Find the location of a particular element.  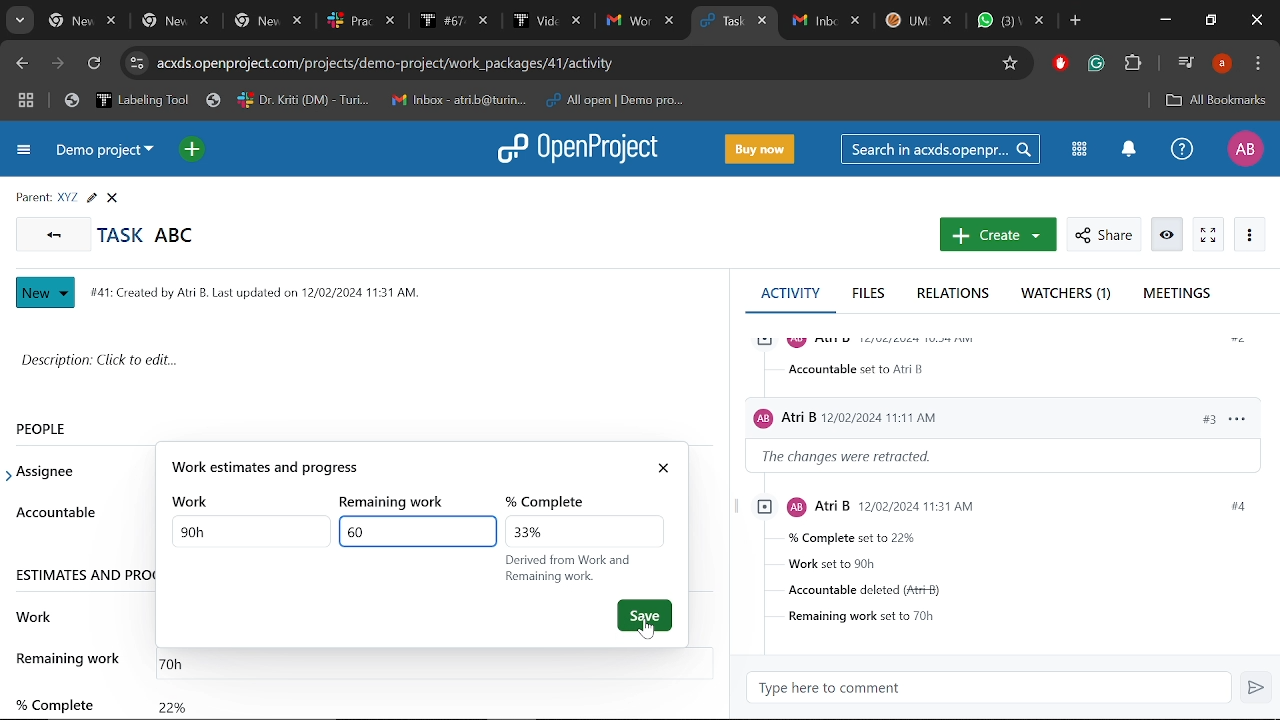

Go back to all tasks is located at coordinates (54, 235).